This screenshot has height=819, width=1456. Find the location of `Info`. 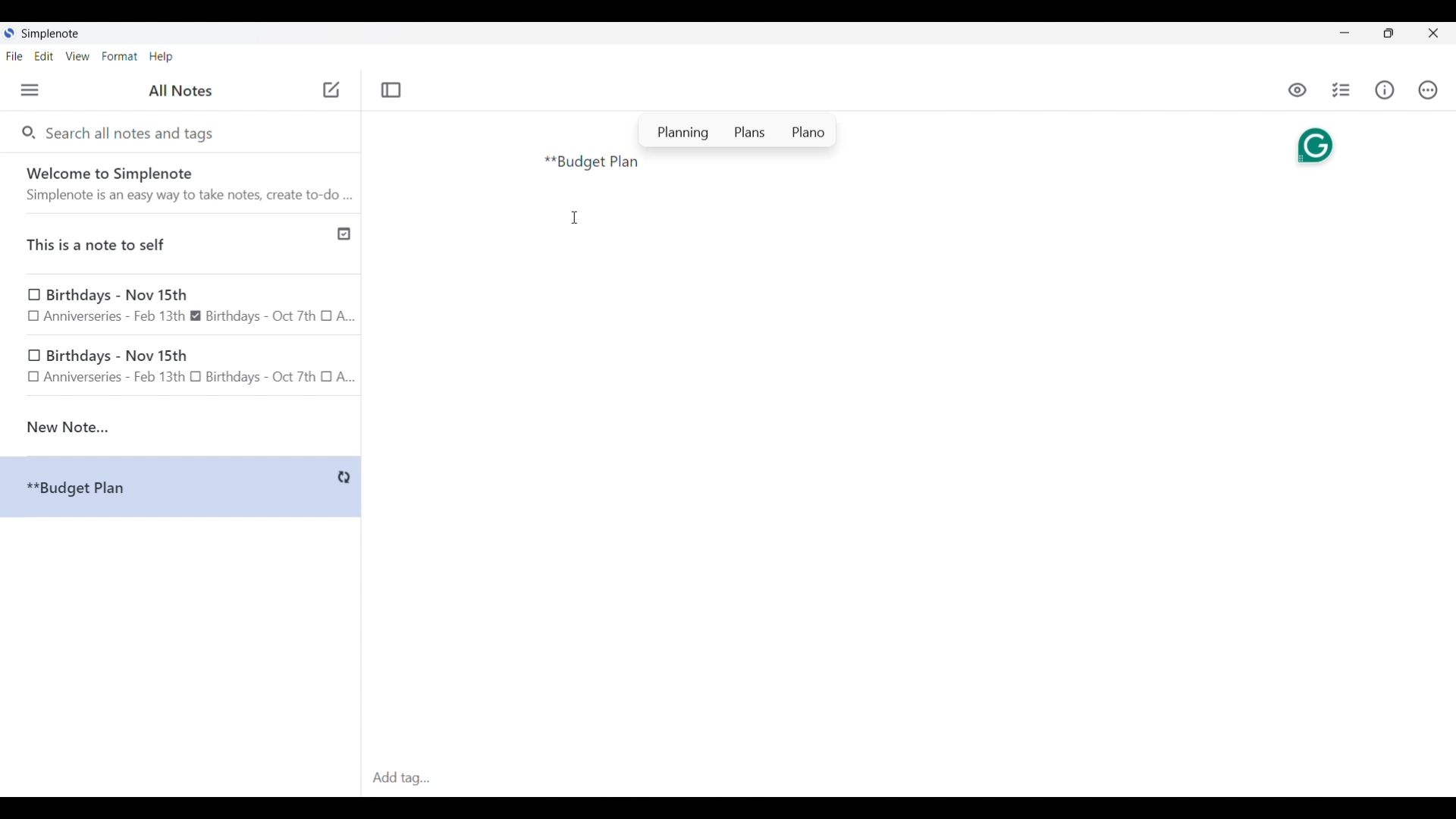

Info is located at coordinates (1385, 89).